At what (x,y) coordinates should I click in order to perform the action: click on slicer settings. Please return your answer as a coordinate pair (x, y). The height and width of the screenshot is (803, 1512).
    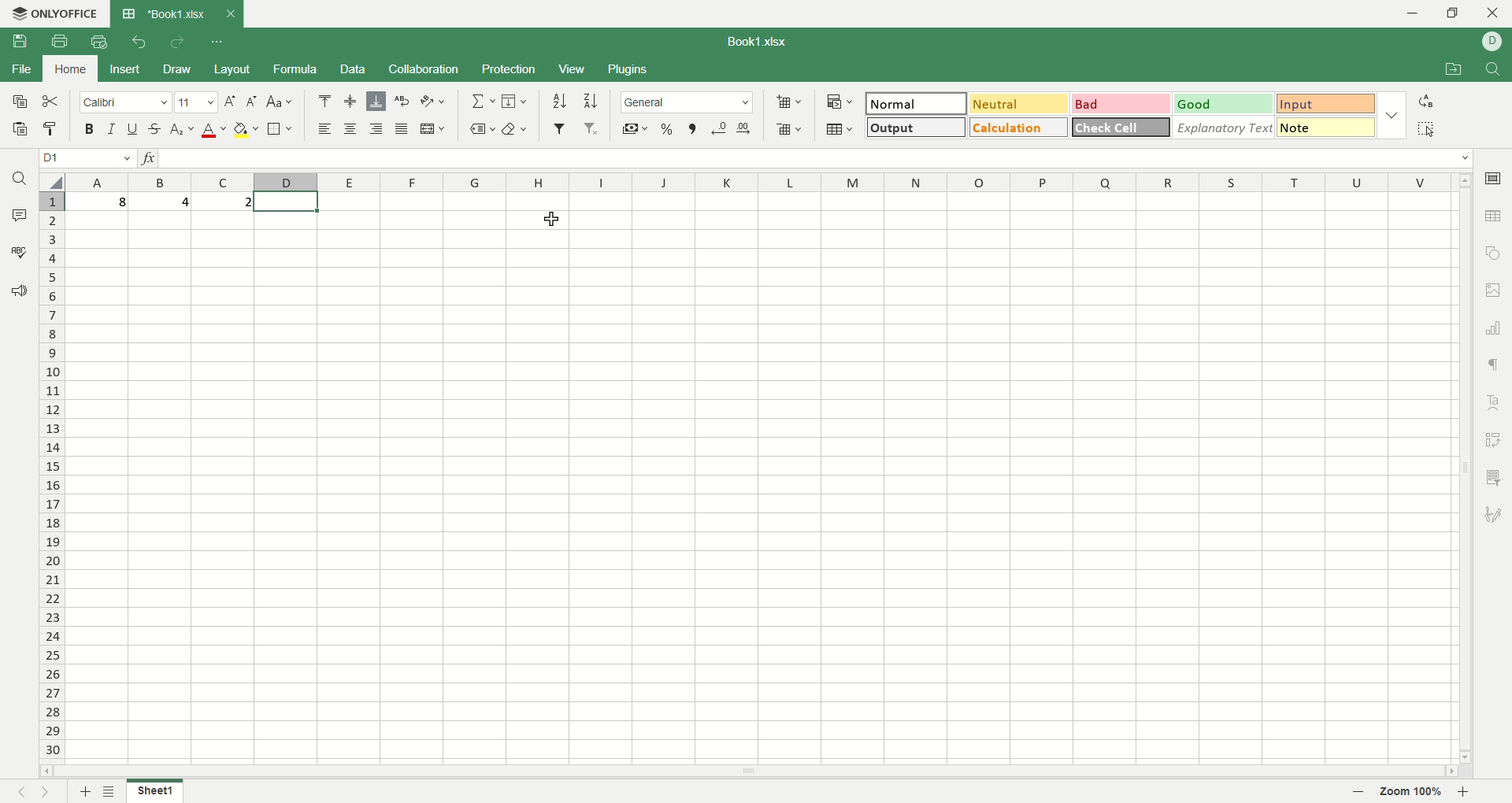
    Looking at the image, I should click on (1494, 479).